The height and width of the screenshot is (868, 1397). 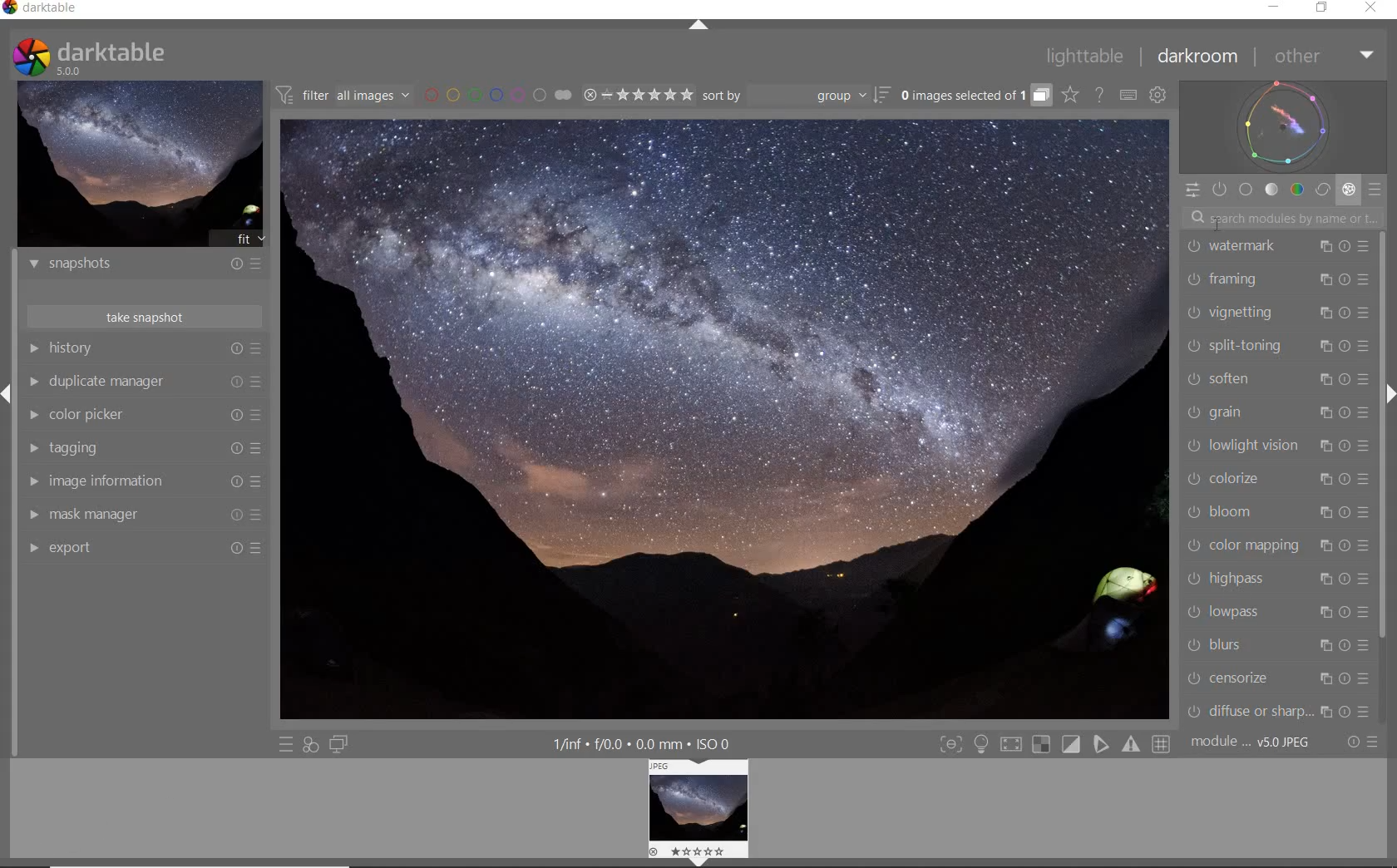 I want to click on Presets and preferences, so click(x=259, y=417).